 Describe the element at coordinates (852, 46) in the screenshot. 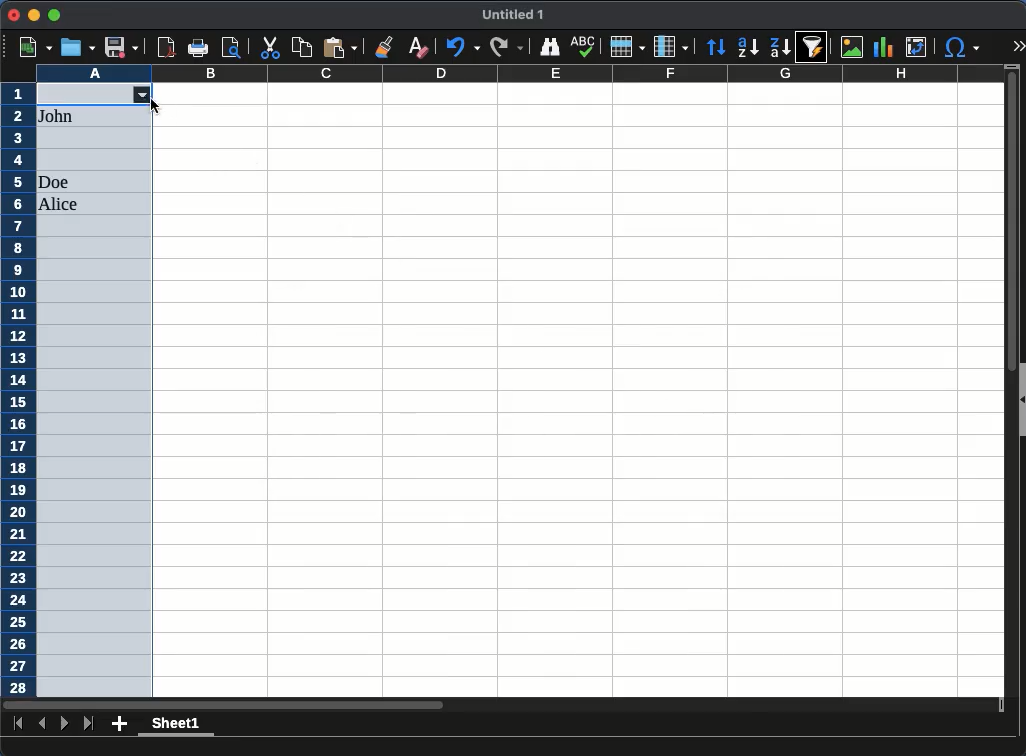

I see `image` at that location.